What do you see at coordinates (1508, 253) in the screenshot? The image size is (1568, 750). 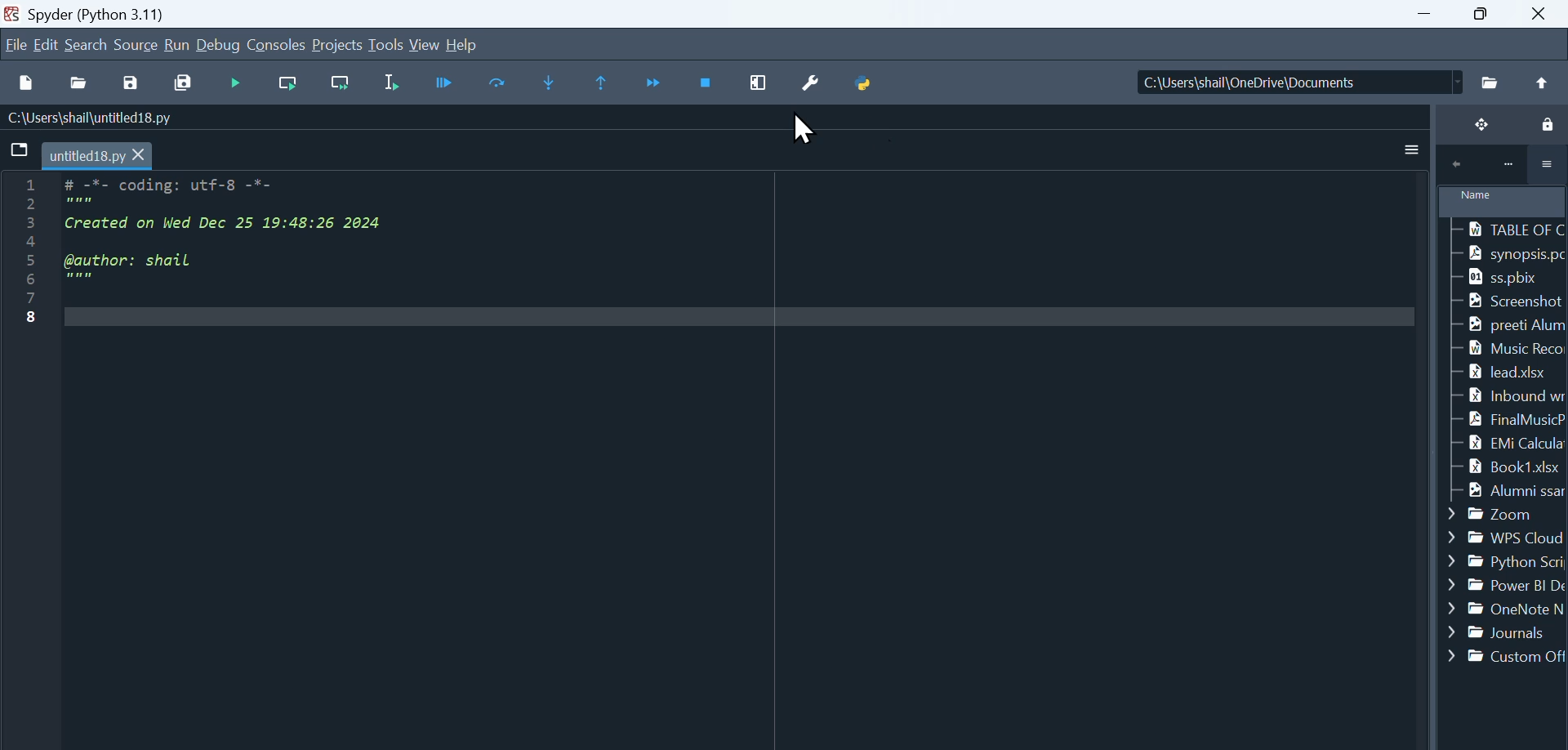 I see `synopsis.p..` at bounding box center [1508, 253].